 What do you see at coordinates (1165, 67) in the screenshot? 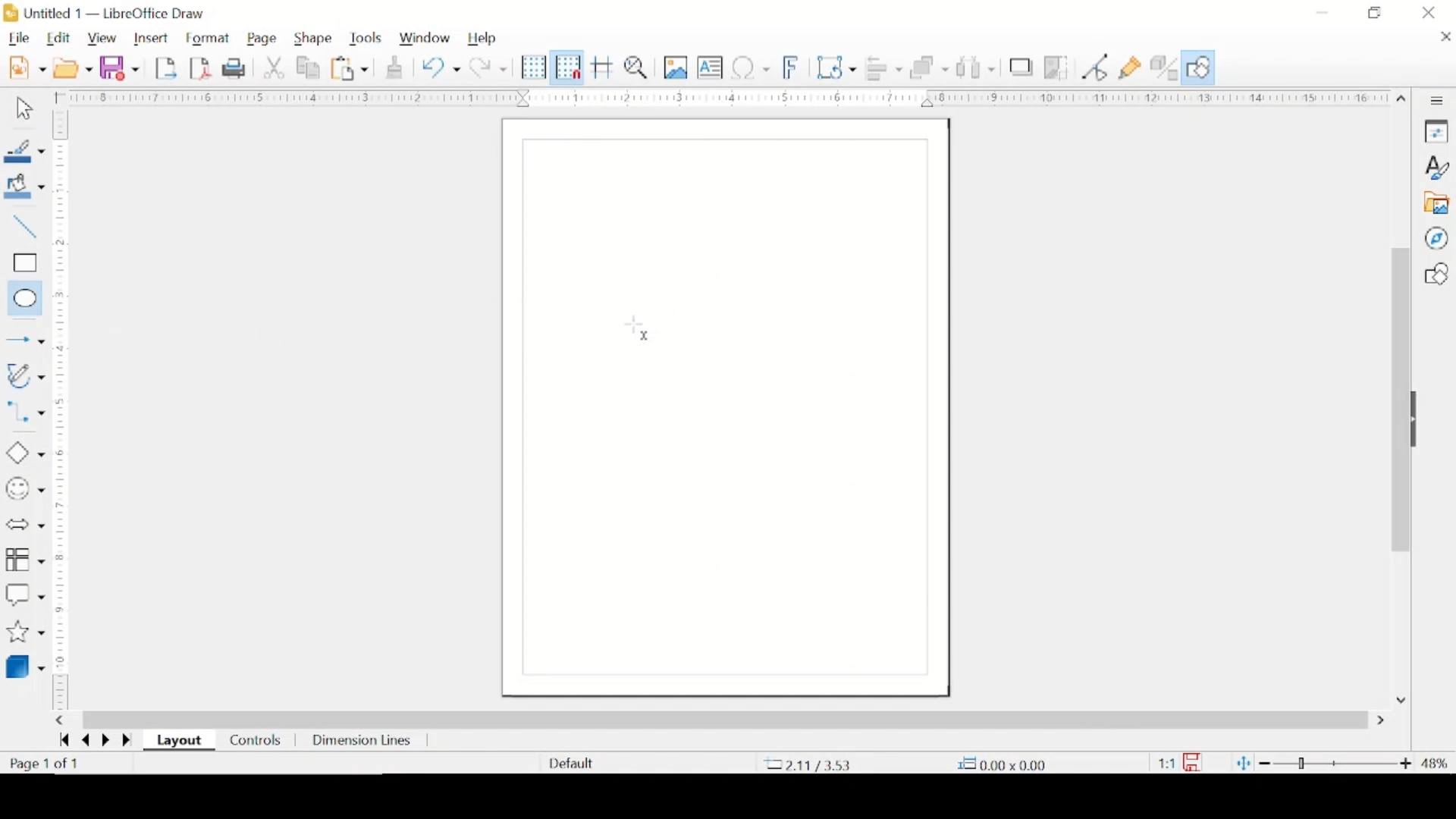
I see `toggle extrusion` at bounding box center [1165, 67].